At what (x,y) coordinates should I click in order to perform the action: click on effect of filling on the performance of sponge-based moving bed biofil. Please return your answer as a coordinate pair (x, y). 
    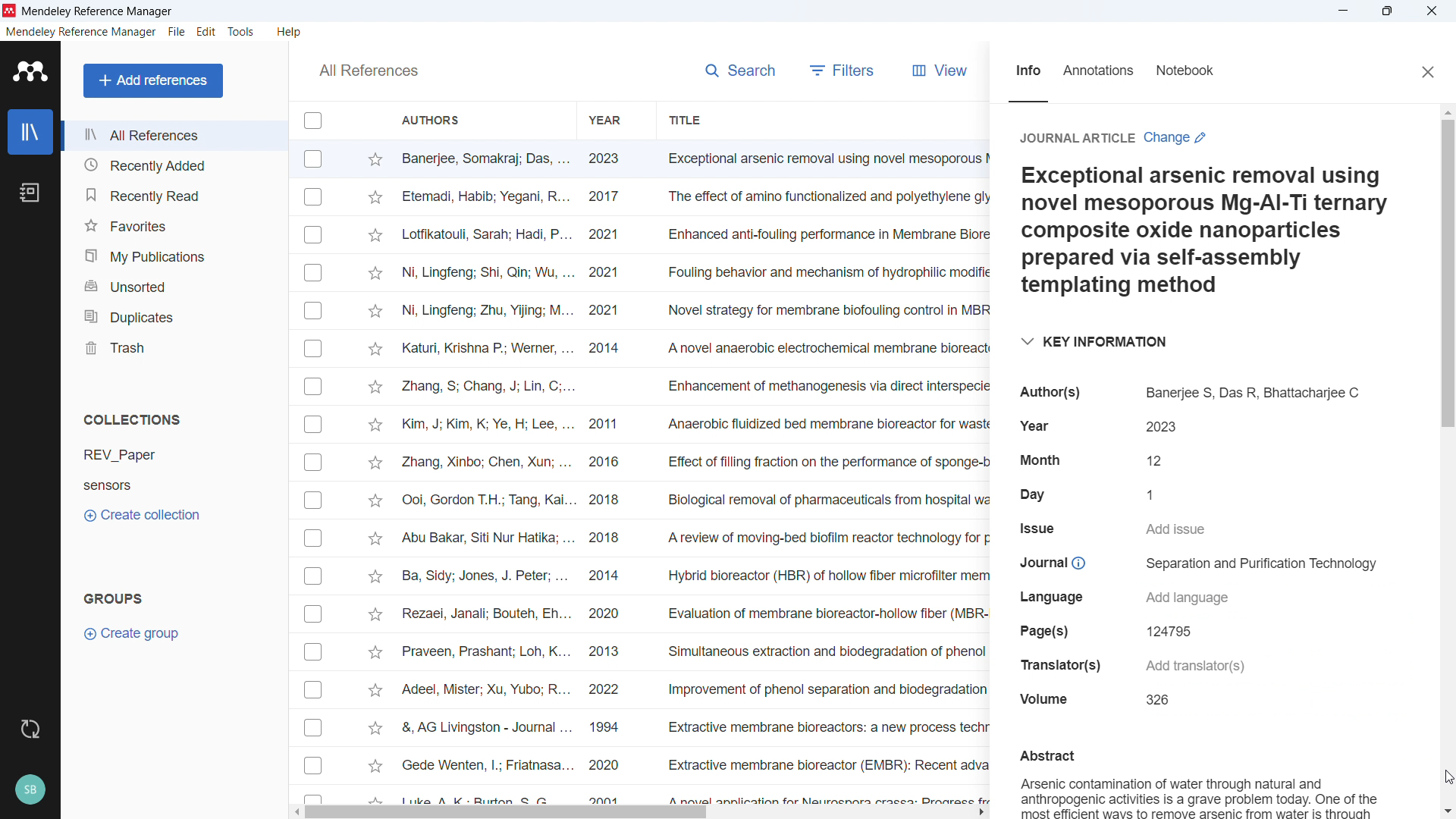
    Looking at the image, I should click on (827, 460).